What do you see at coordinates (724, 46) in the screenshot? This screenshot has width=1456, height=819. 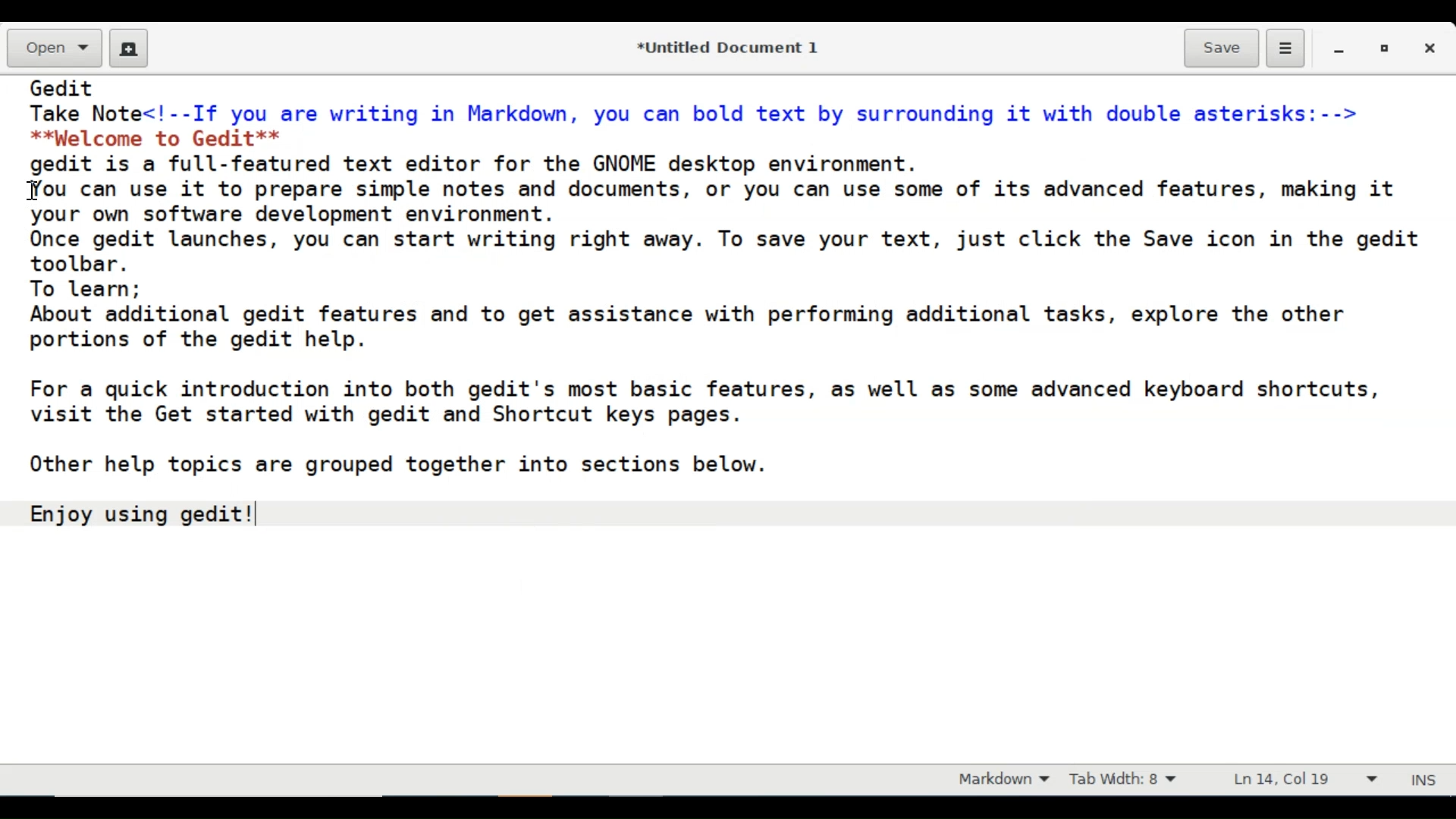 I see `Untitled  document` at bounding box center [724, 46].